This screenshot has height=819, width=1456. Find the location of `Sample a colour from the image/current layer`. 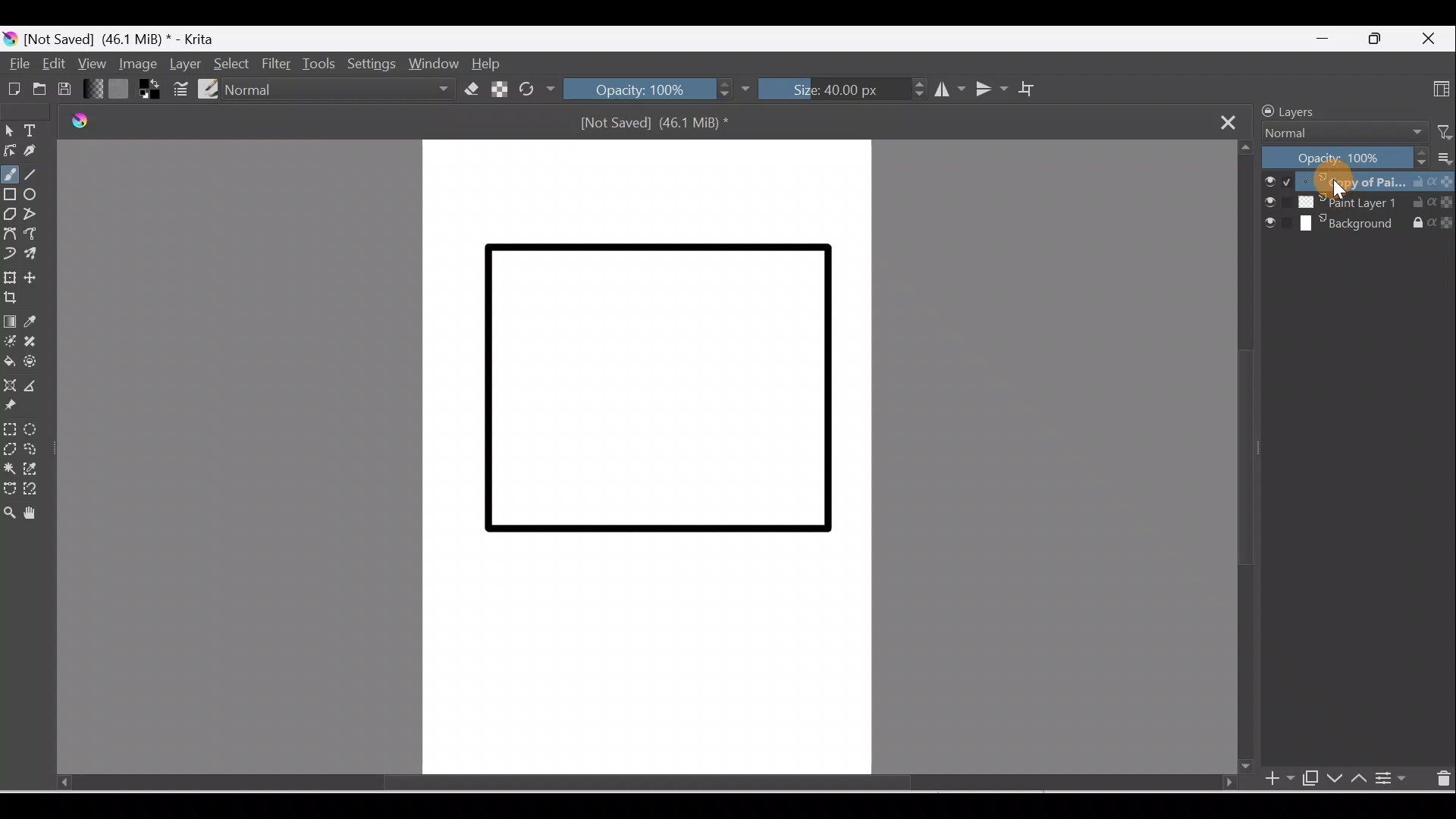

Sample a colour from the image/current layer is located at coordinates (42, 322).